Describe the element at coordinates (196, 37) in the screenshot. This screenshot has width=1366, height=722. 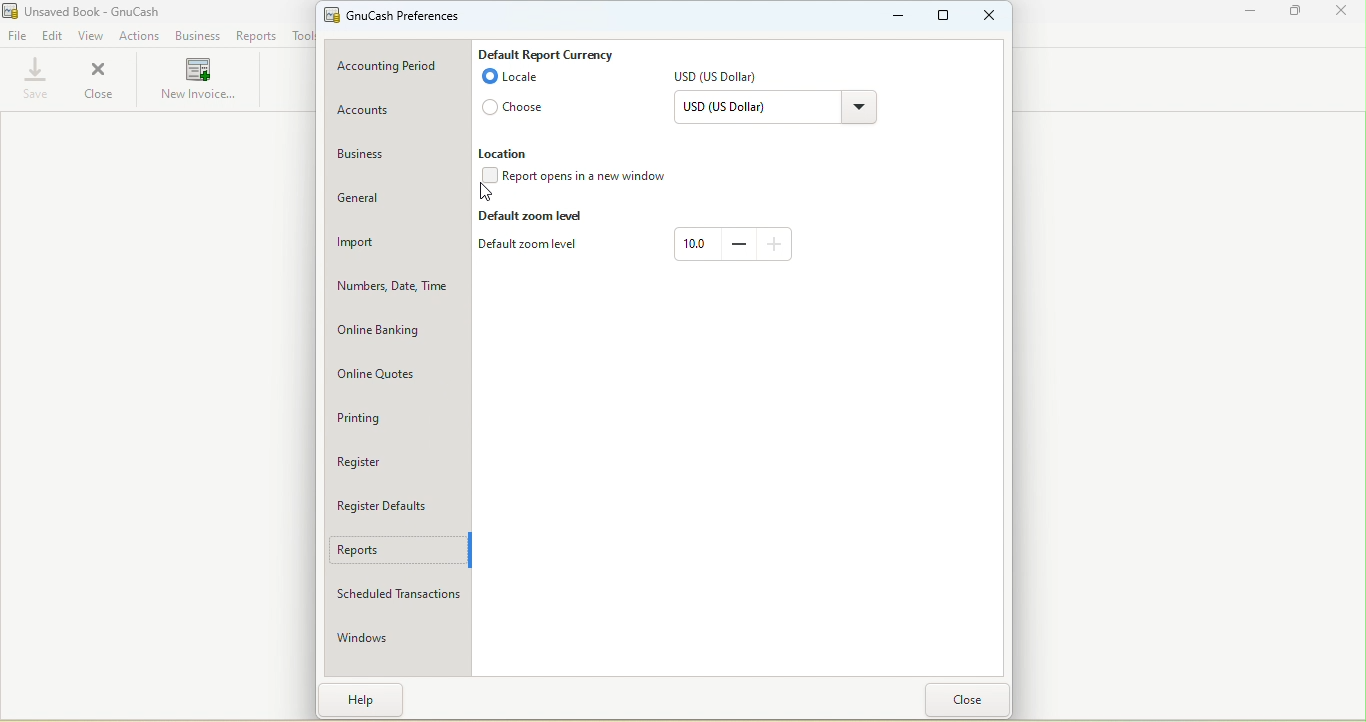
I see `Business` at that location.